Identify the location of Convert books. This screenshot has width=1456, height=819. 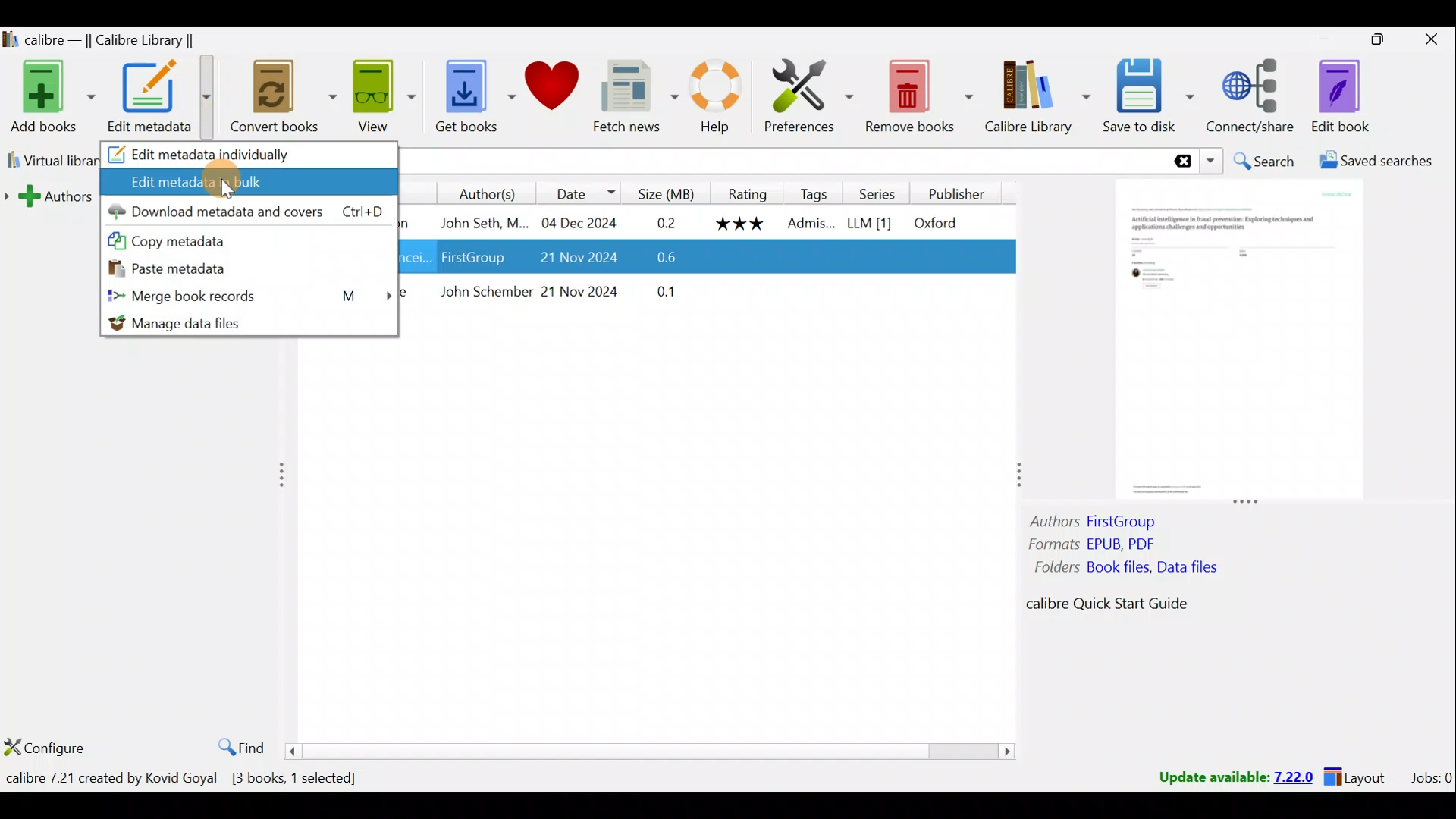
(271, 99).